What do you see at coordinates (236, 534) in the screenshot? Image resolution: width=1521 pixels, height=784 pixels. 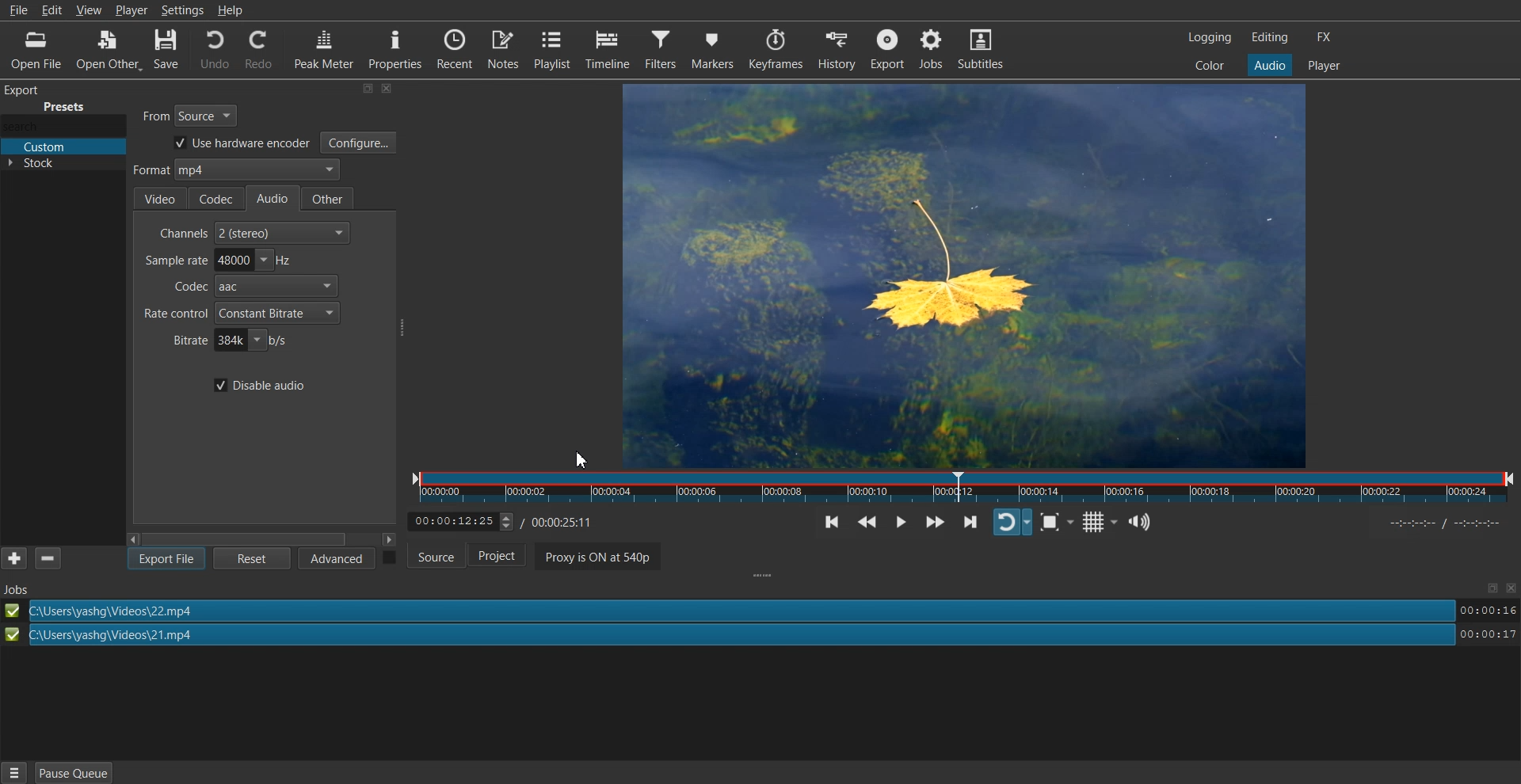 I see `Scroll` at bounding box center [236, 534].